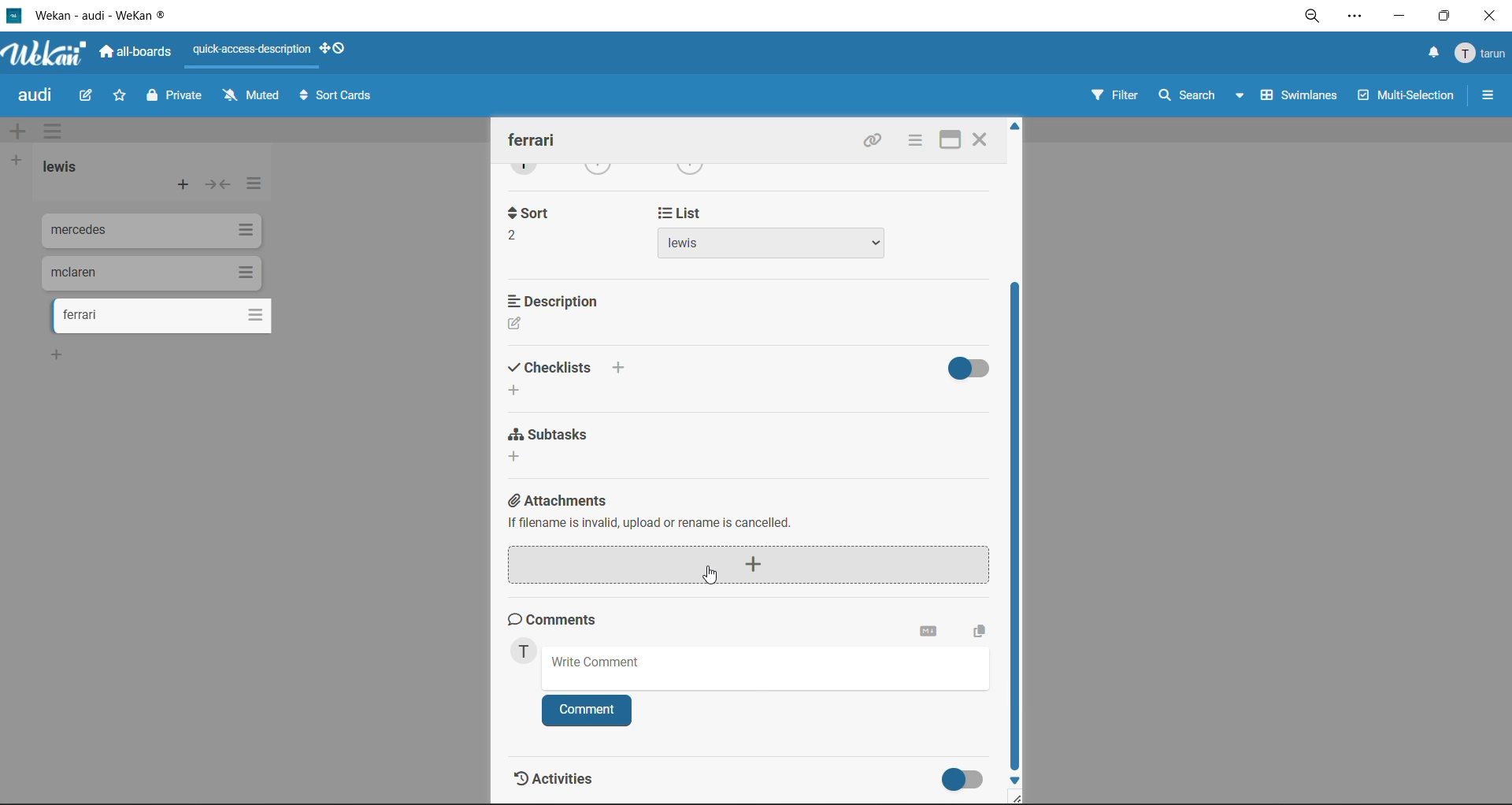  Describe the element at coordinates (32, 95) in the screenshot. I see `board title` at that location.